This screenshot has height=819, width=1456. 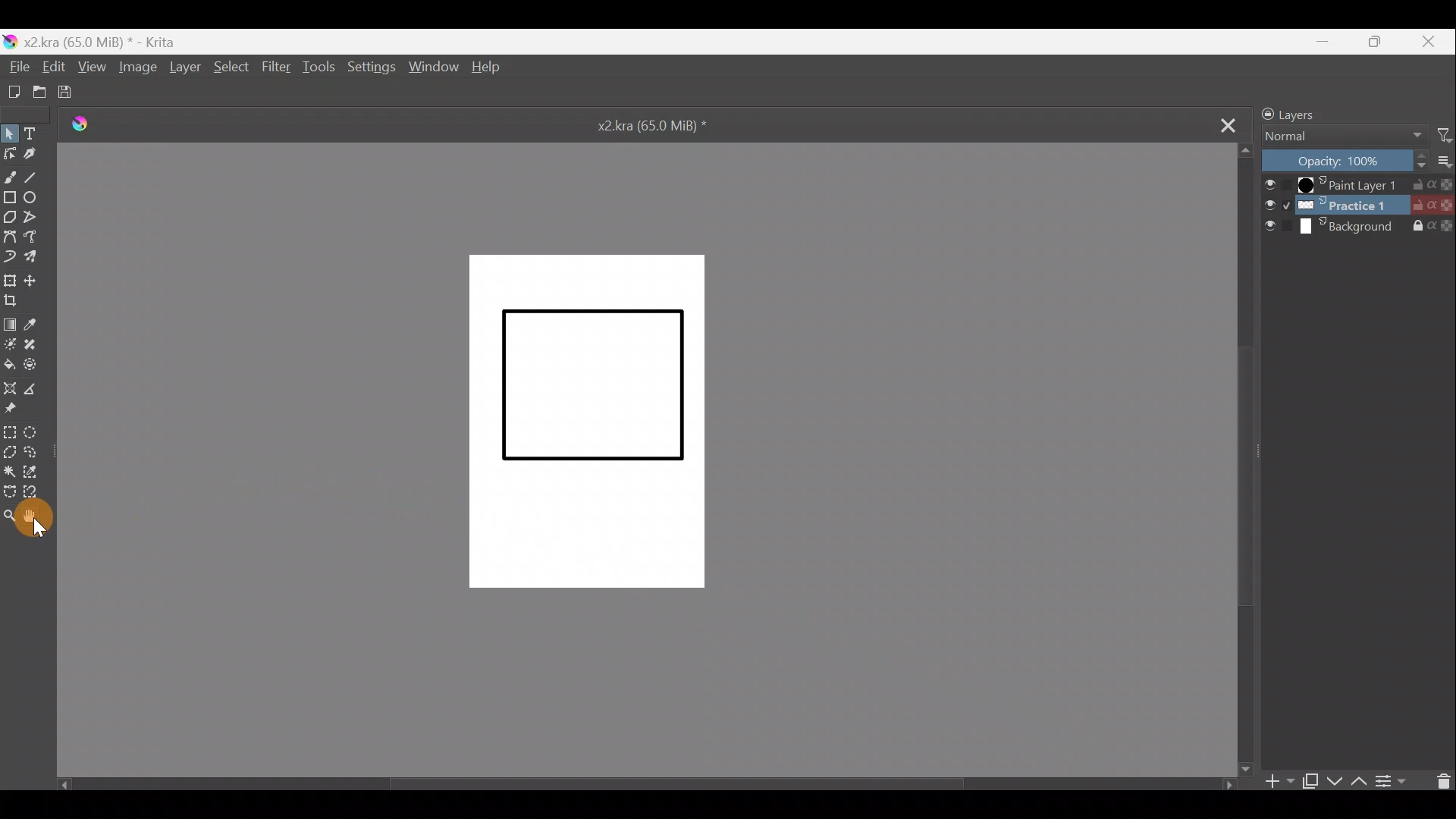 What do you see at coordinates (1439, 138) in the screenshot?
I see `Filter` at bounding box center [1439, 138].